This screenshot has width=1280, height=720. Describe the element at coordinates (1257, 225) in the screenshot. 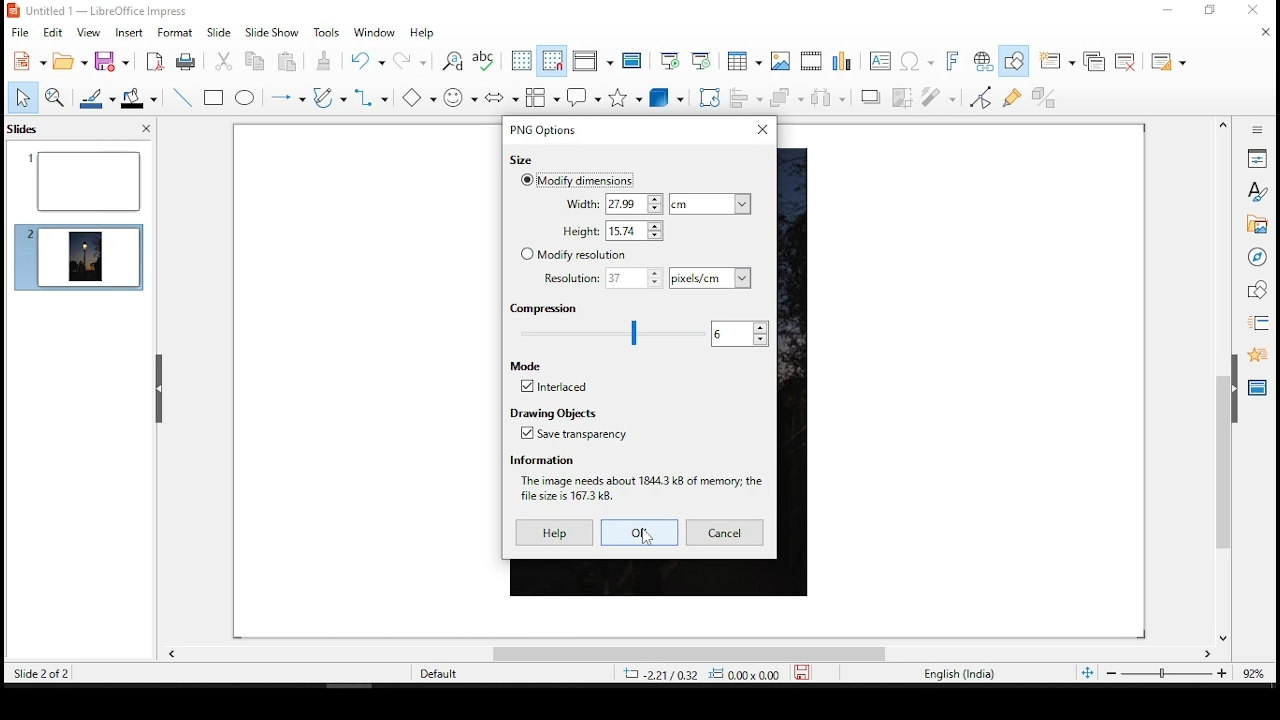

I see `gallery` at that location.